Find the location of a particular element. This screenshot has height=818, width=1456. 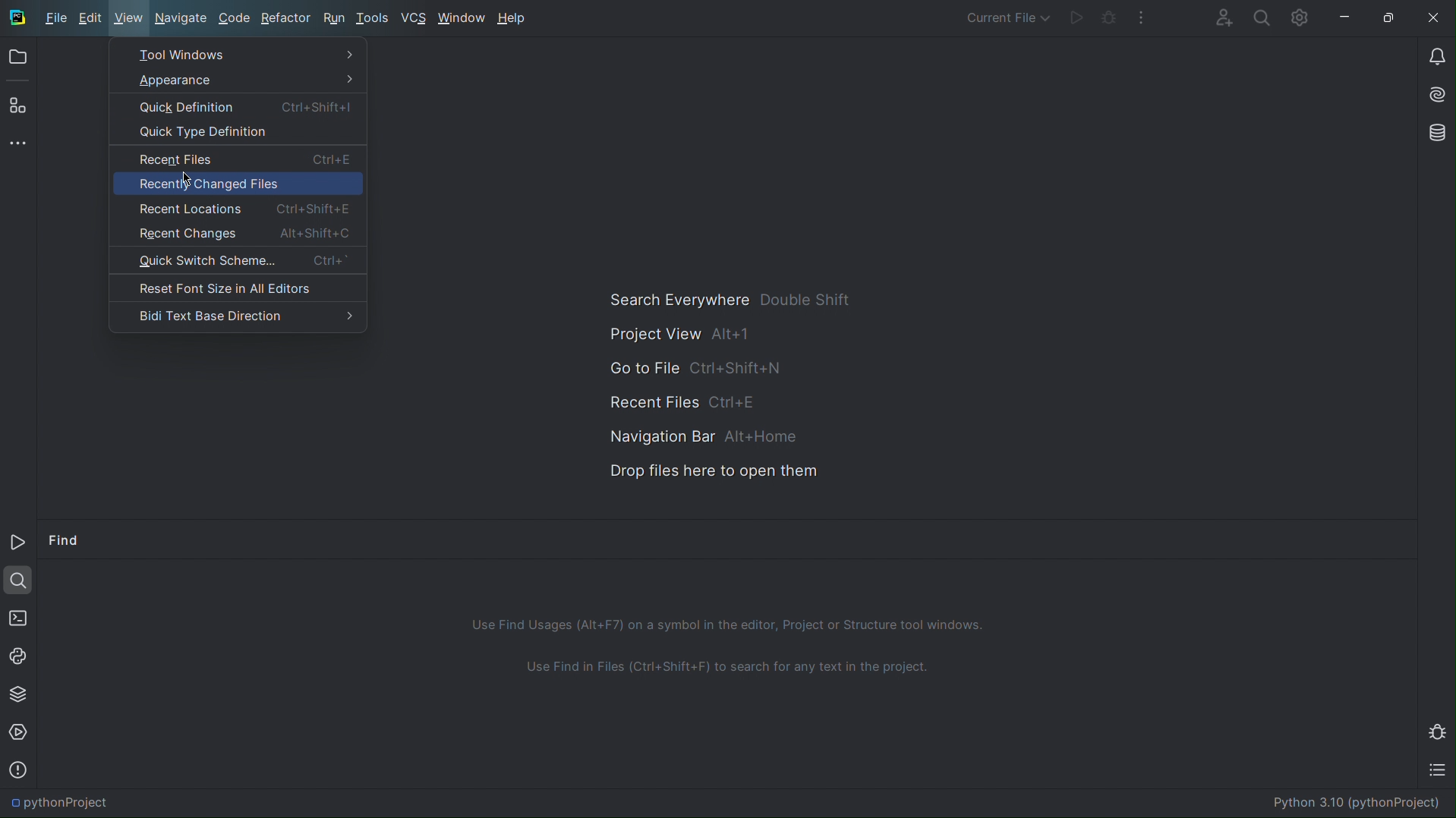

Appearance is located at coordinates (241, 81).